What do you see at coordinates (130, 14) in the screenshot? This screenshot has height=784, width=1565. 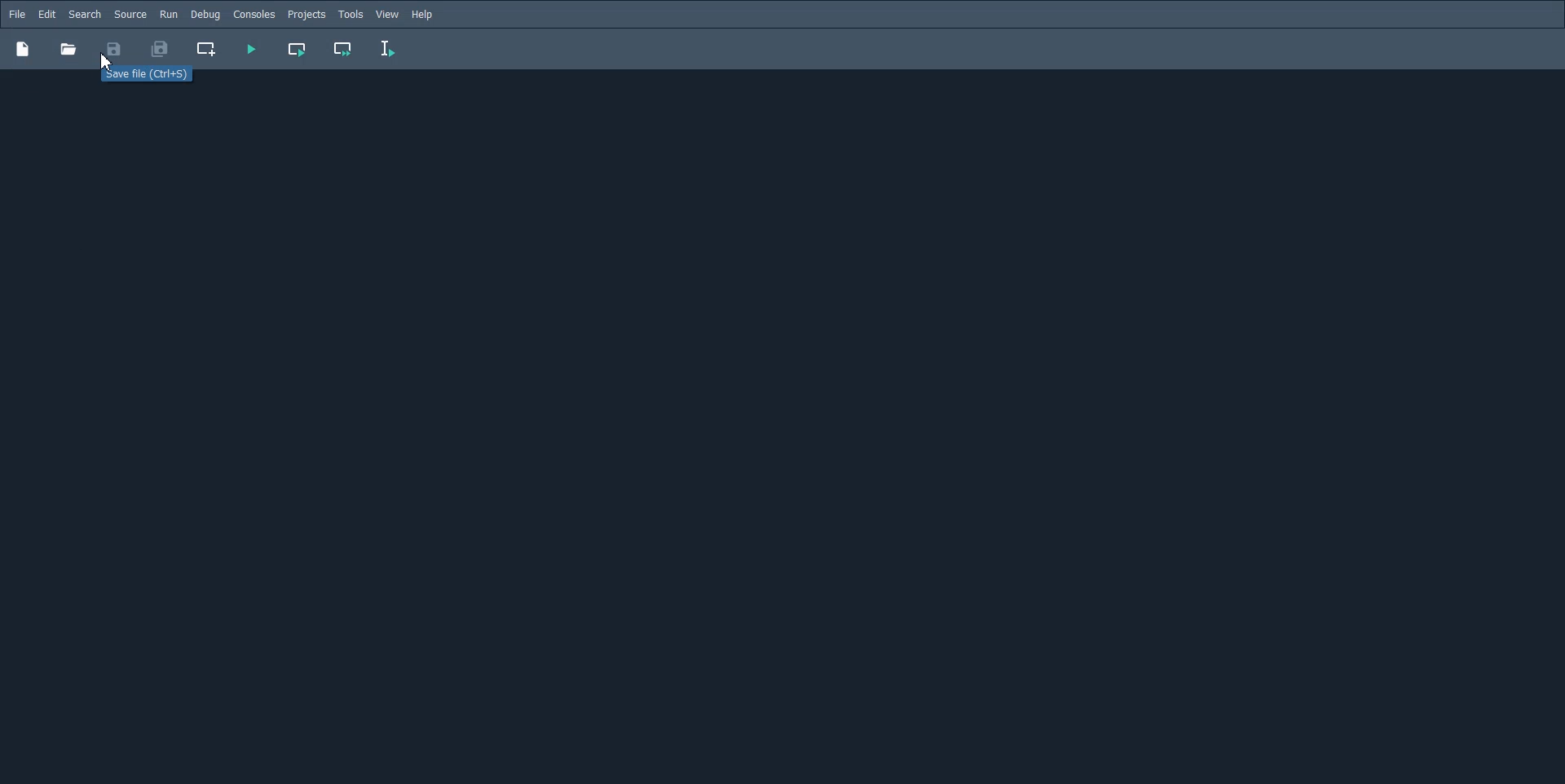 I see `Source` at bounding box center [130, 14].